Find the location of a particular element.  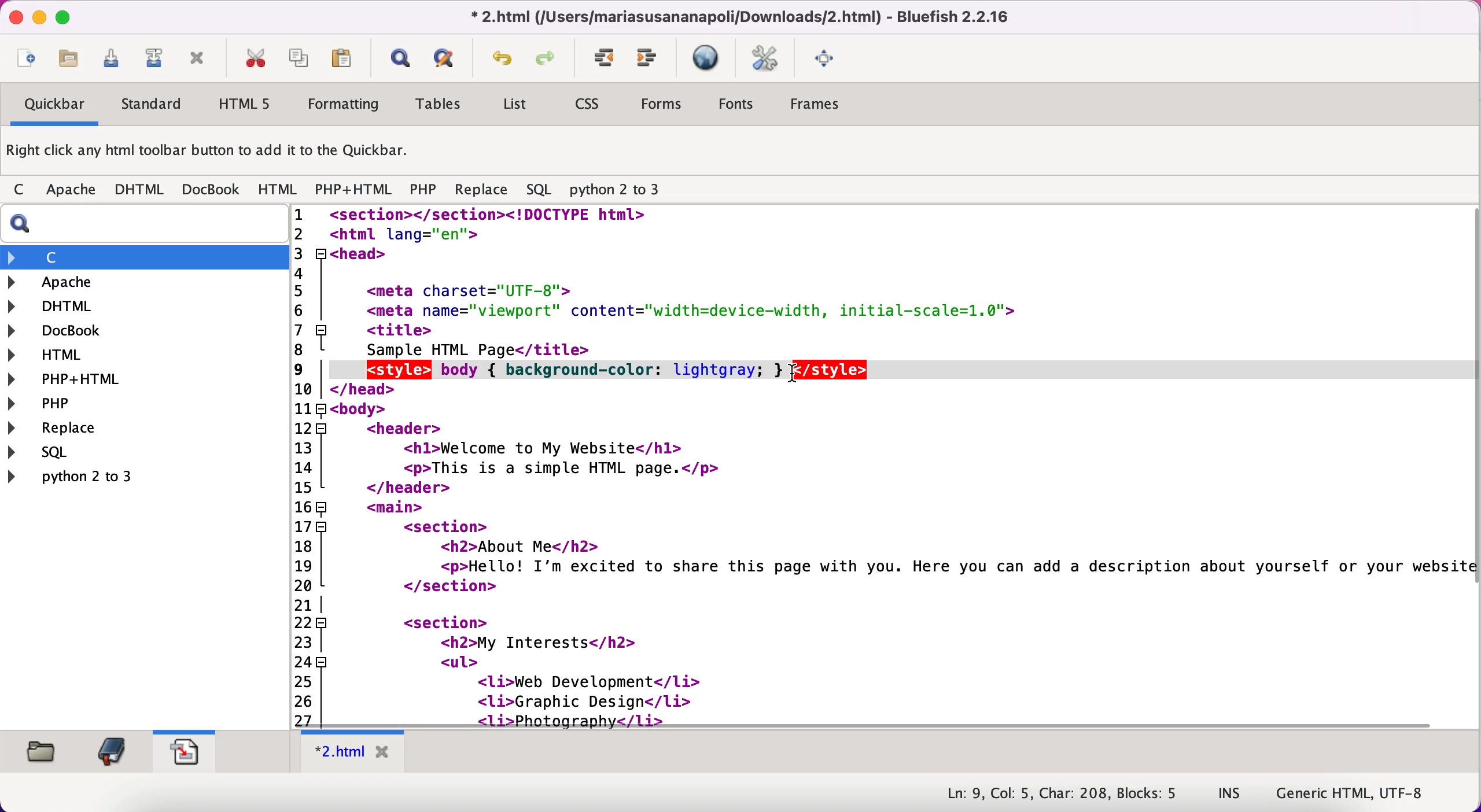

php+html is located at coordinates (73, 380).